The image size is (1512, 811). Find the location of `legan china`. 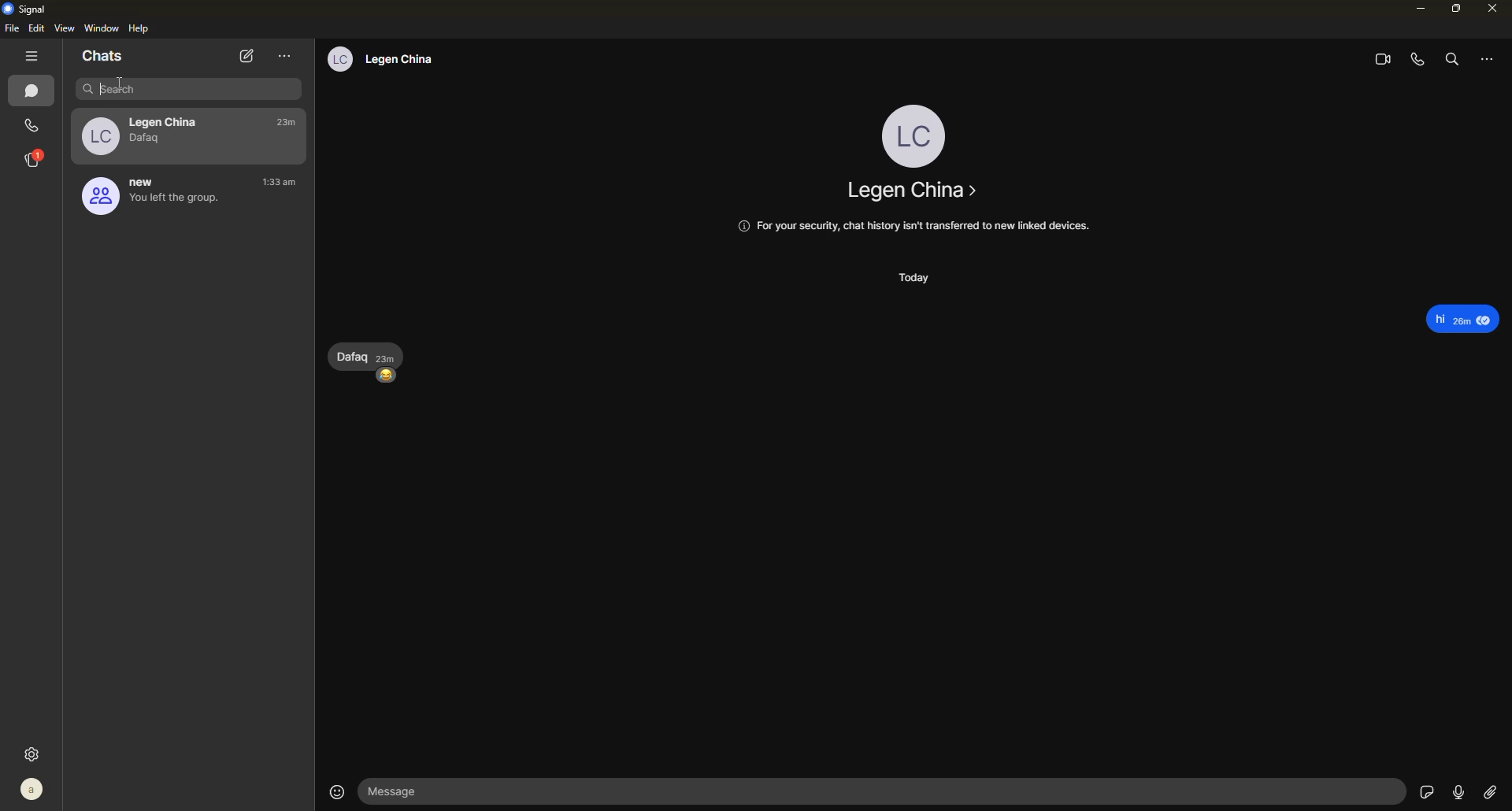

legan china is located at coordinates (912, 190).